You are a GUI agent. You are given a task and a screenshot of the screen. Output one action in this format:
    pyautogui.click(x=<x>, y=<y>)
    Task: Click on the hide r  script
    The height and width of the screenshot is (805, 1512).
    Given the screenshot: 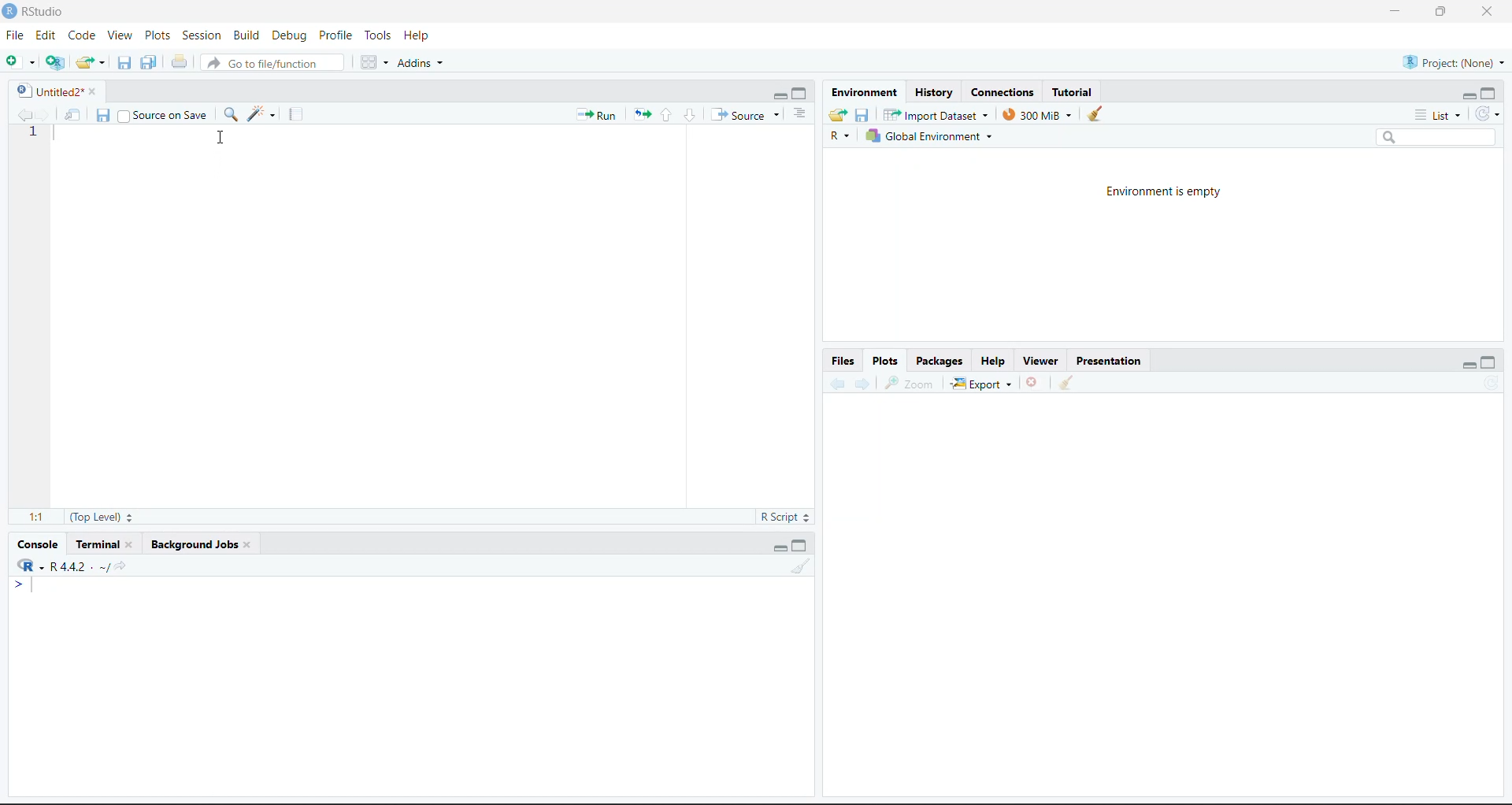 What is the action you would take?
    pyautogui.click(x=1464, y=95)
    